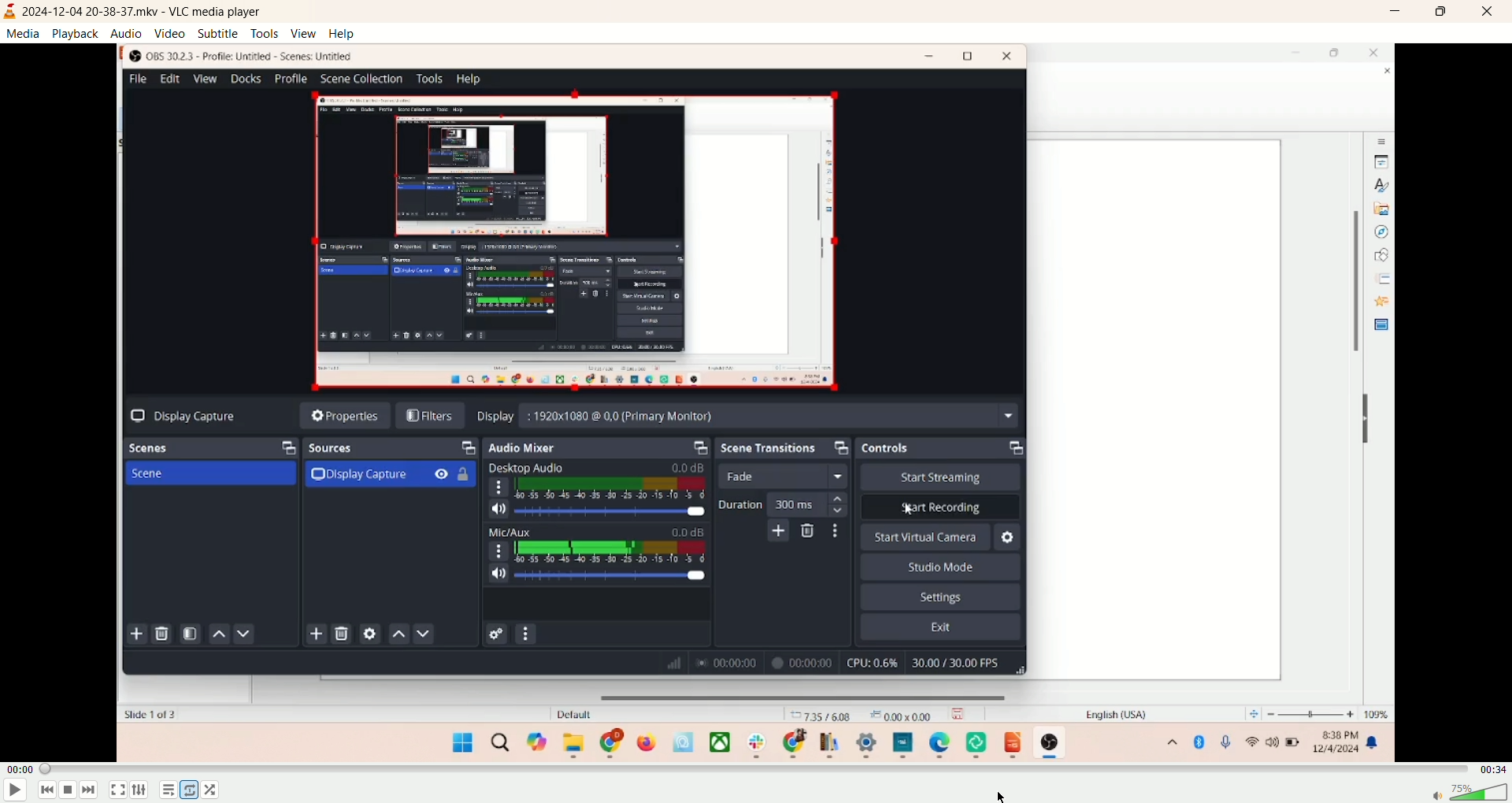 The height and width of the screenshot is (803, 1512). I want to click on video, so click(169, 33).